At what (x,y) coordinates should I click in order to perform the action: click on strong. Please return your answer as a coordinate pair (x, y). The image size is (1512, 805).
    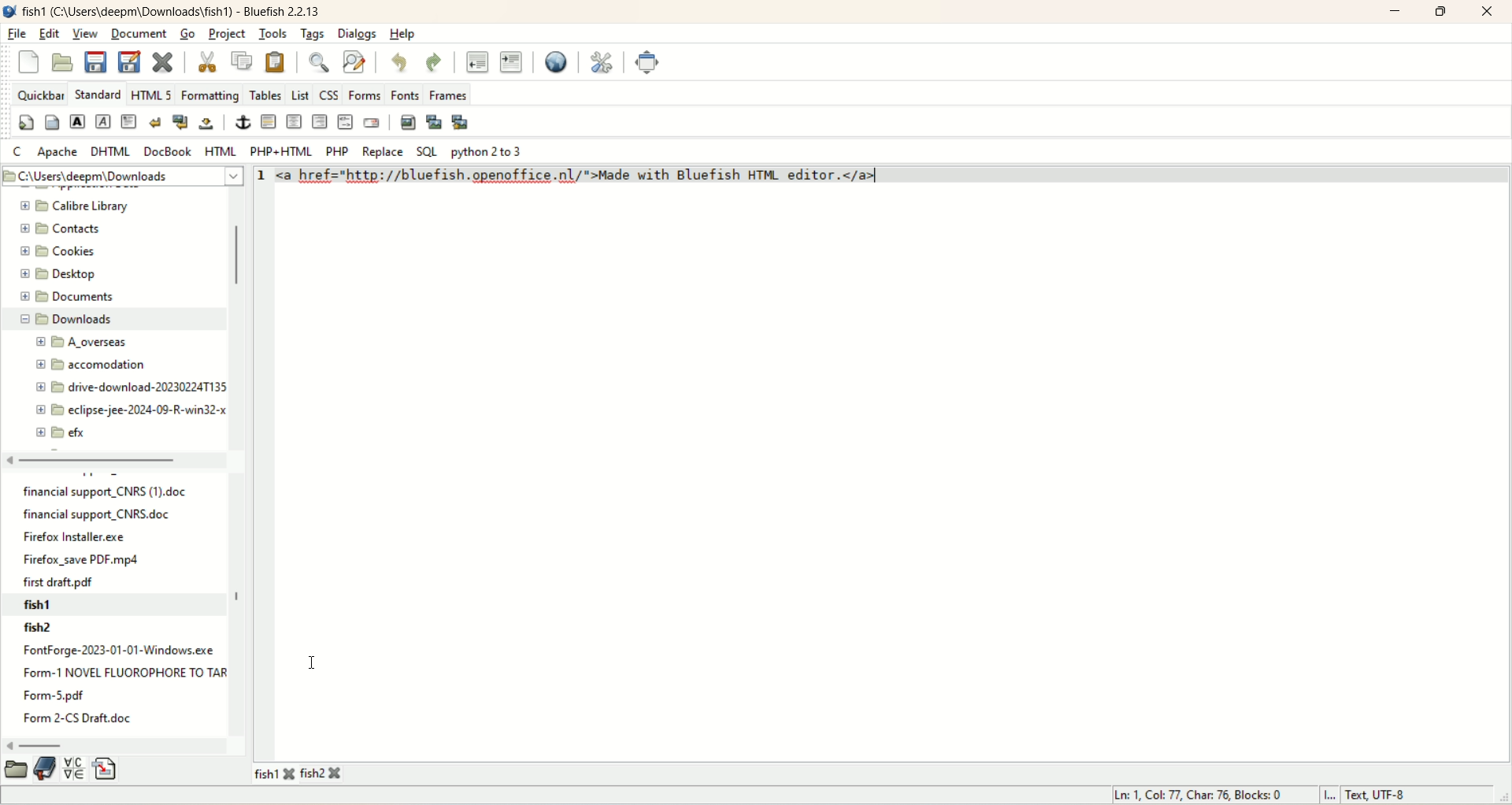
    Looking at the image, I should click on (80, 121).